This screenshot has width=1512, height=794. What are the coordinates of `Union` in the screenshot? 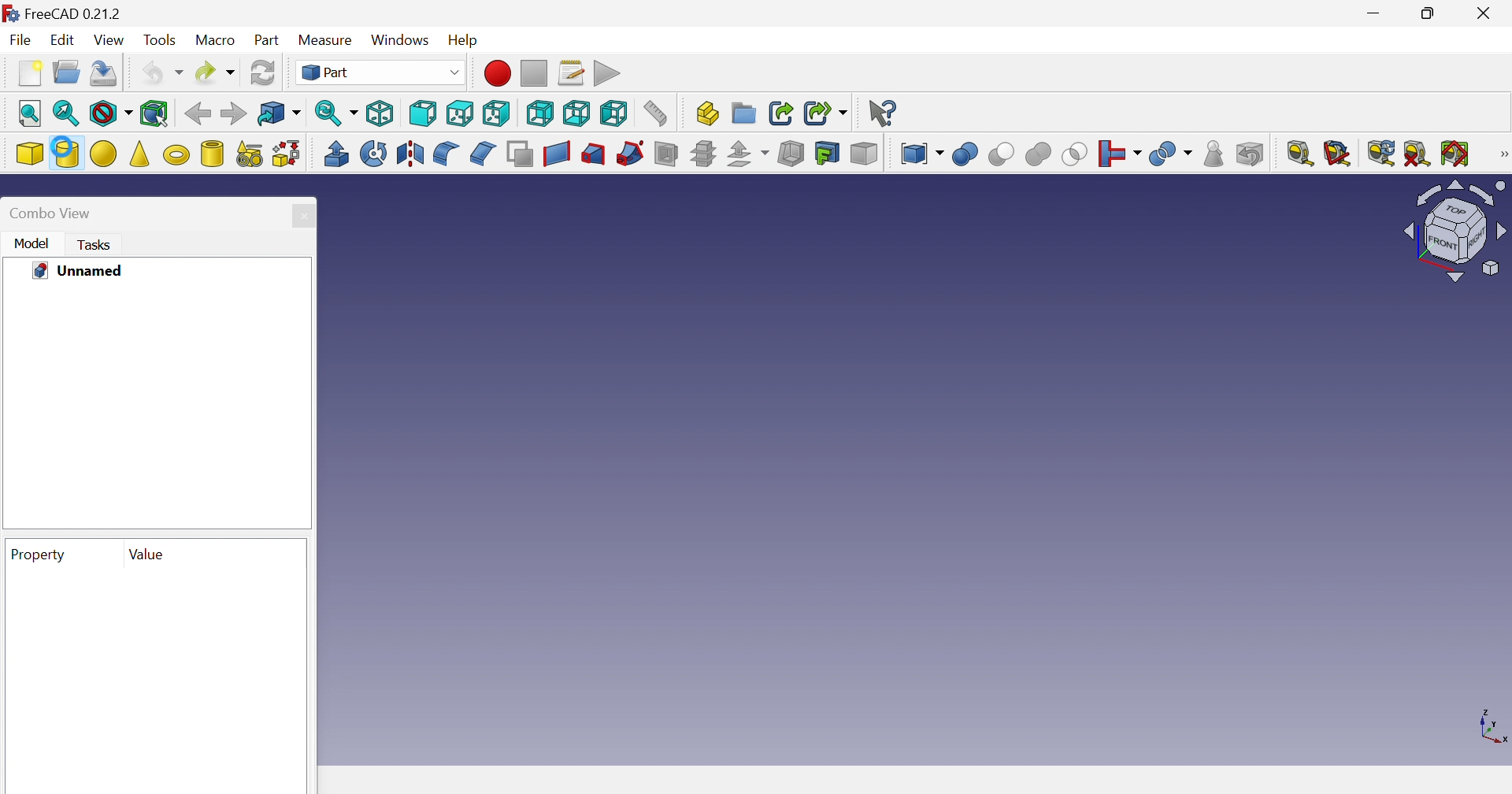 It's located at (1073, 156).